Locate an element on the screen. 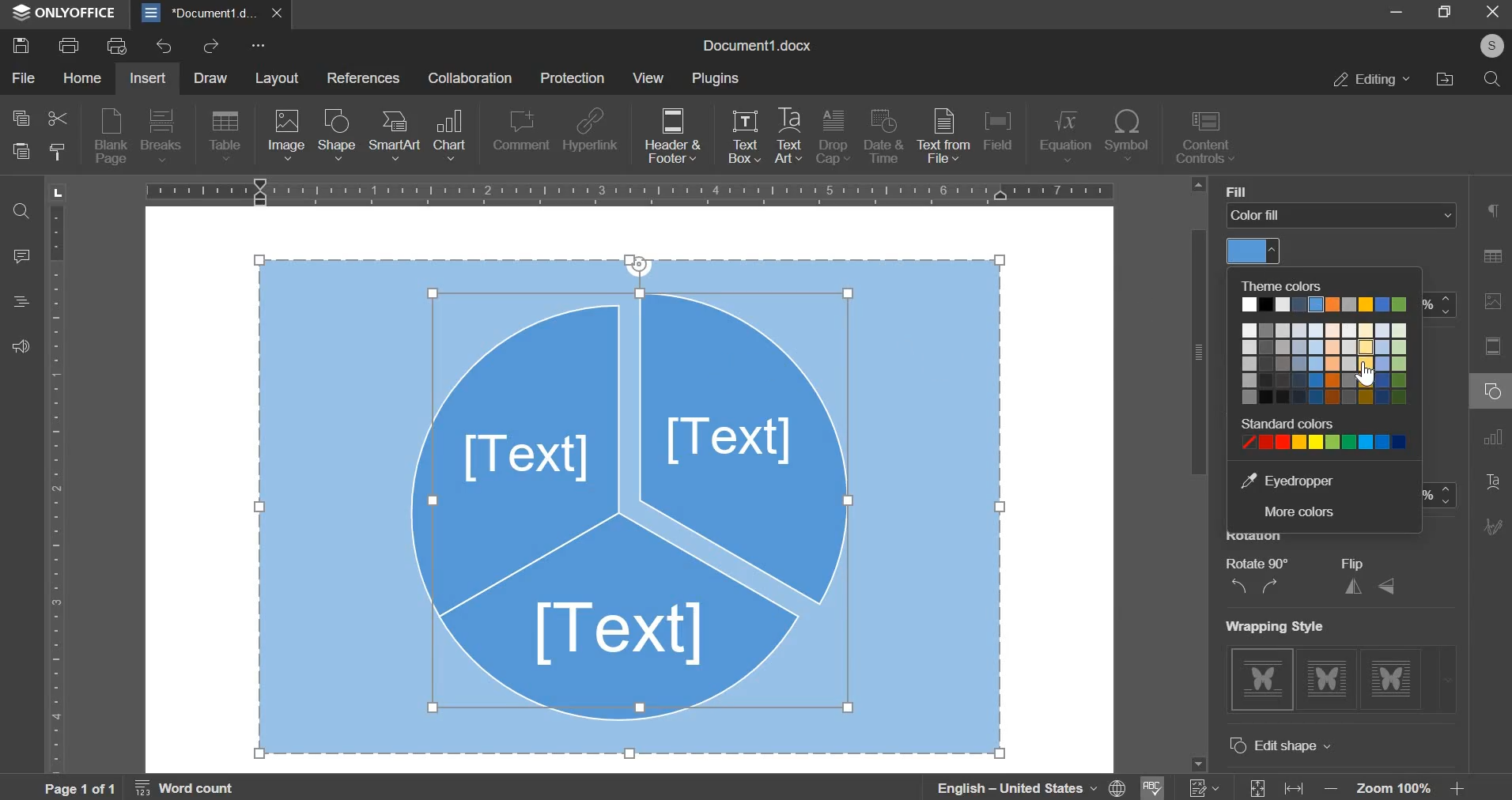 Image resolution: width=1512 pixels, height=800 pixels. file is located at coordinates (26, 77).